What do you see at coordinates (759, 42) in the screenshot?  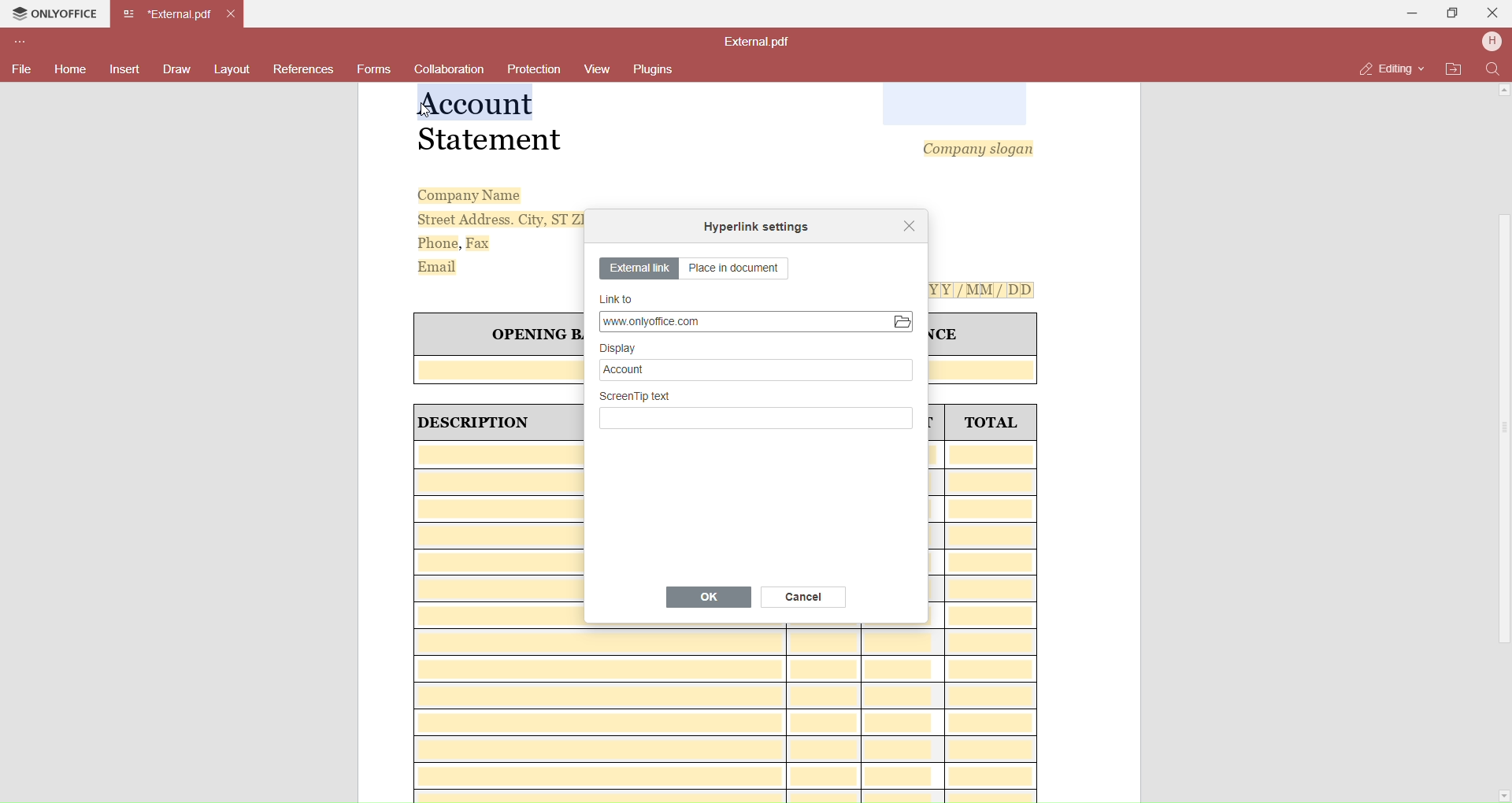 I see `File name` at bounding box center [759, 42].